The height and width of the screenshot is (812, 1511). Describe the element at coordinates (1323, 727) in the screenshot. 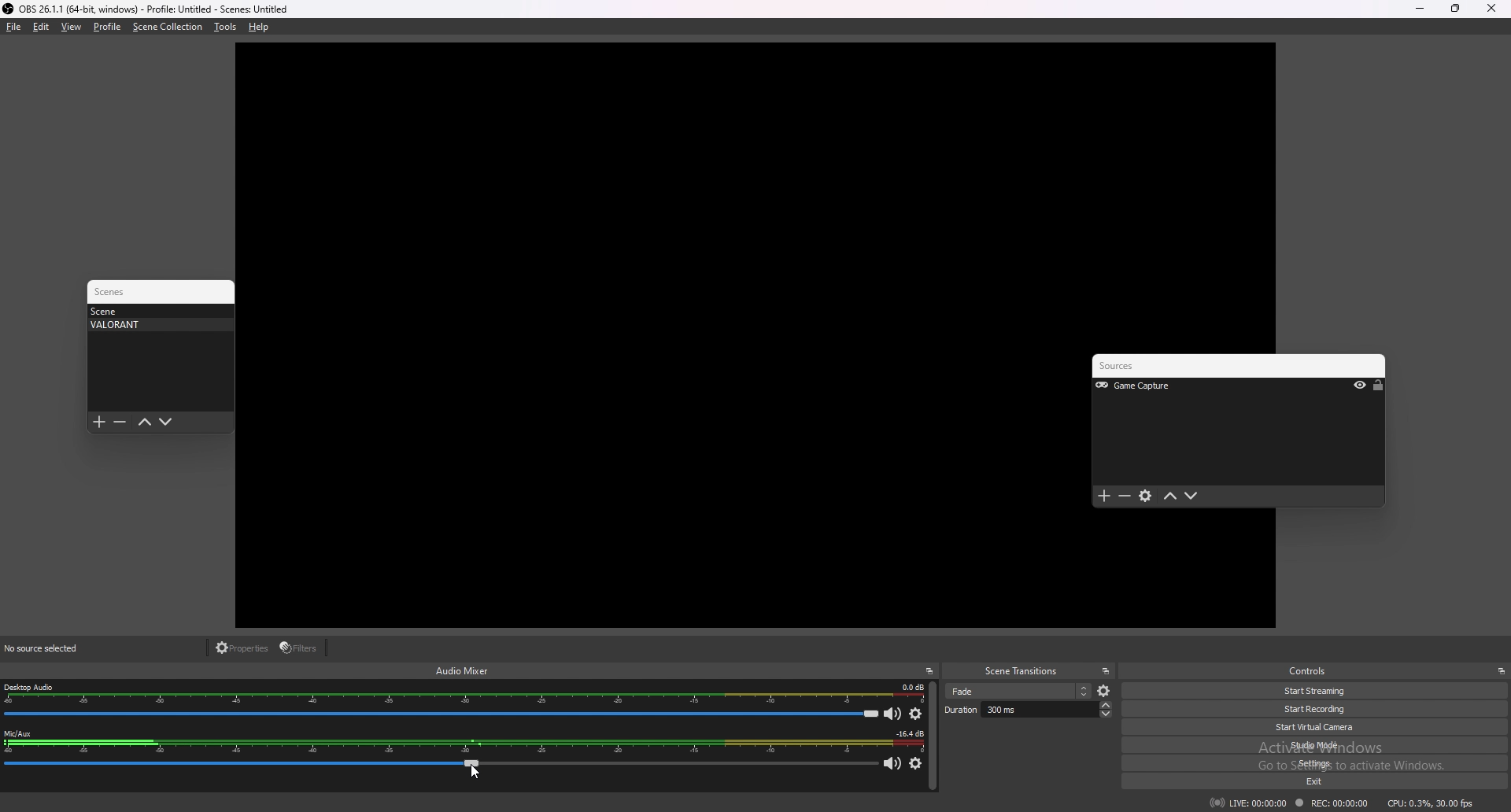

I see `start virtual camera` at that location.